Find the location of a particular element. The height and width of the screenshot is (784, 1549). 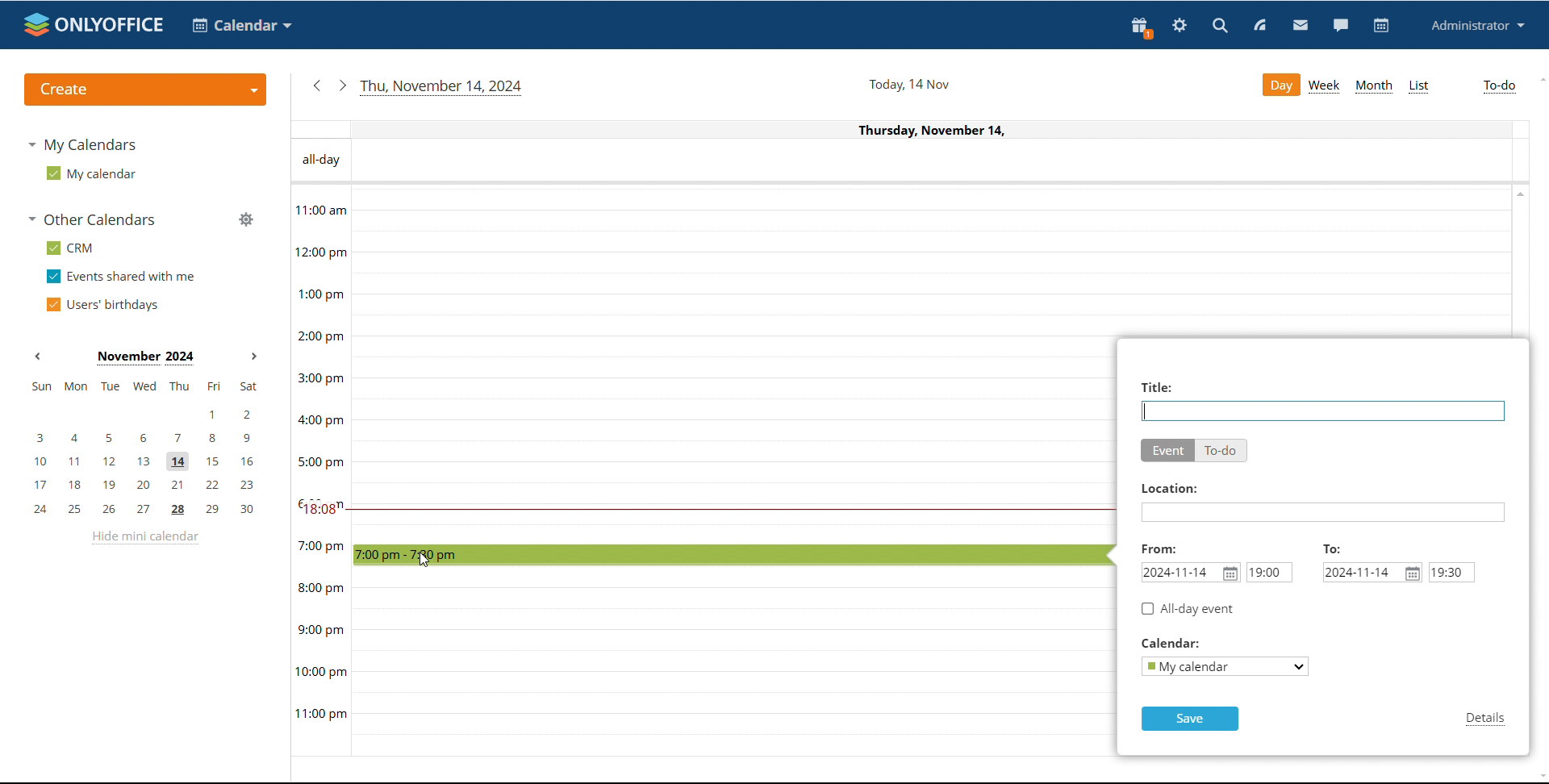

to-do is located at coordinates (1500, 87).